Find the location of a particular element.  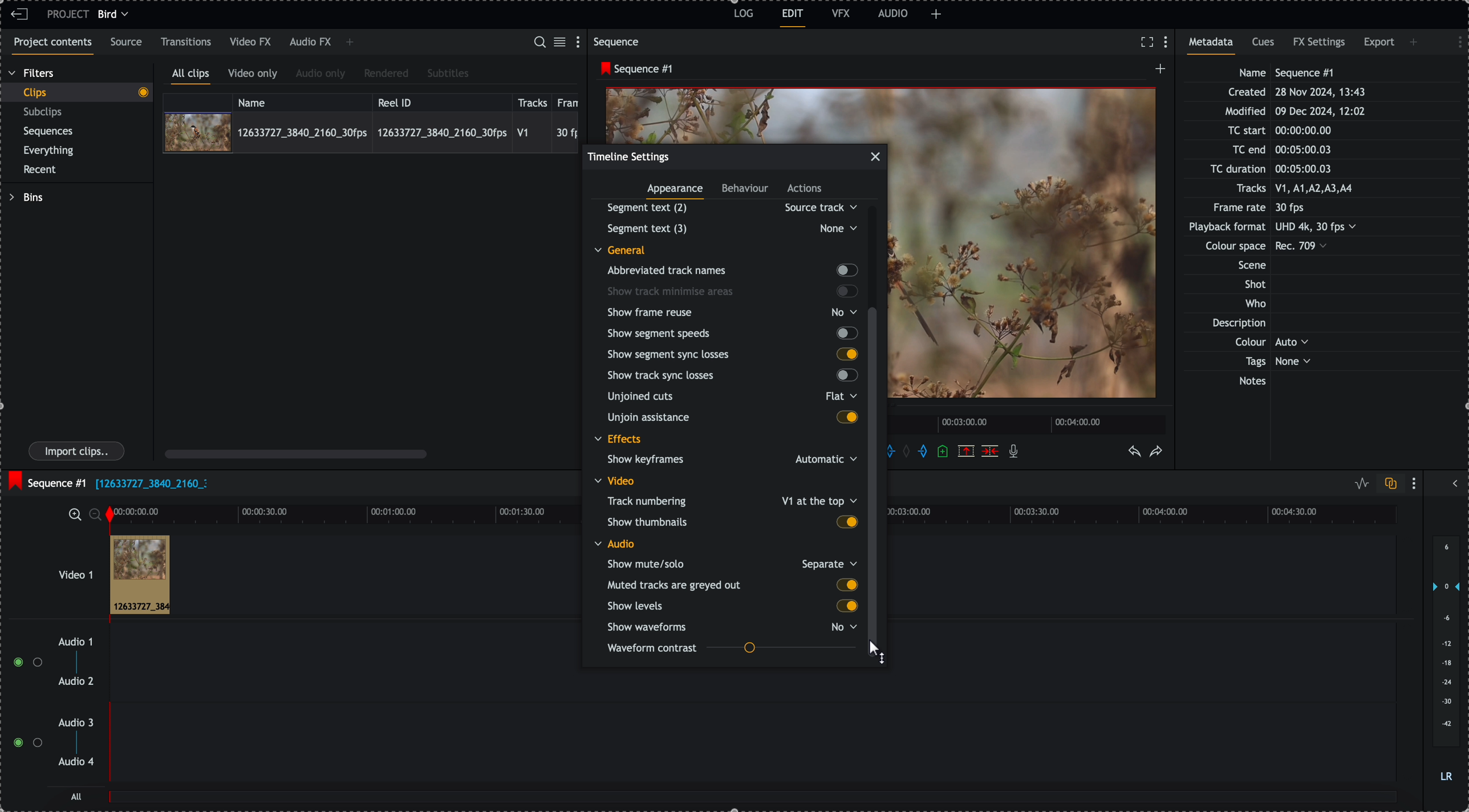

appearance is located at coordinates (677, 192).